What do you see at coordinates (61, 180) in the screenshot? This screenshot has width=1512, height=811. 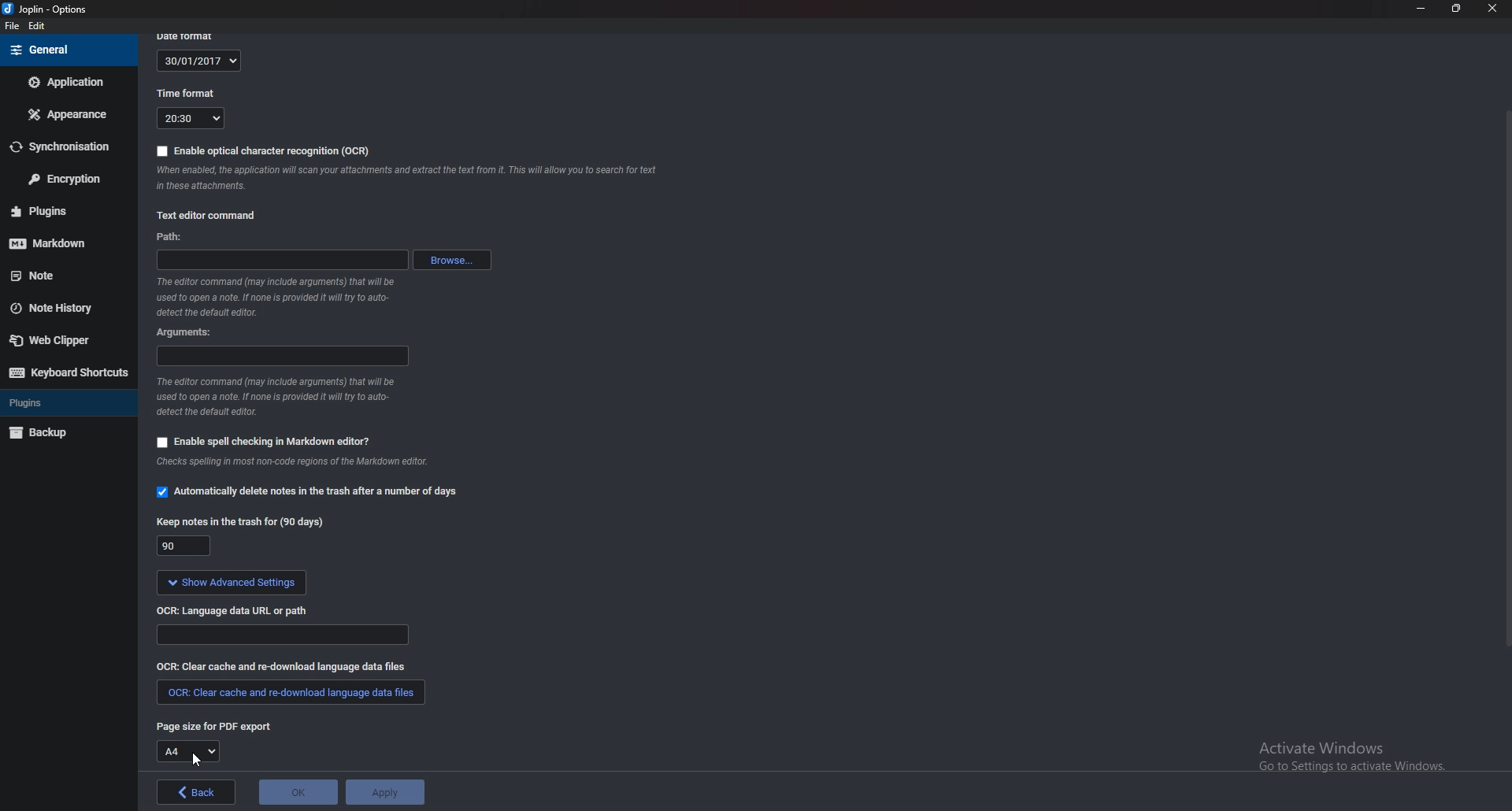 I see `Encryption` at bounding box center [61, 180].